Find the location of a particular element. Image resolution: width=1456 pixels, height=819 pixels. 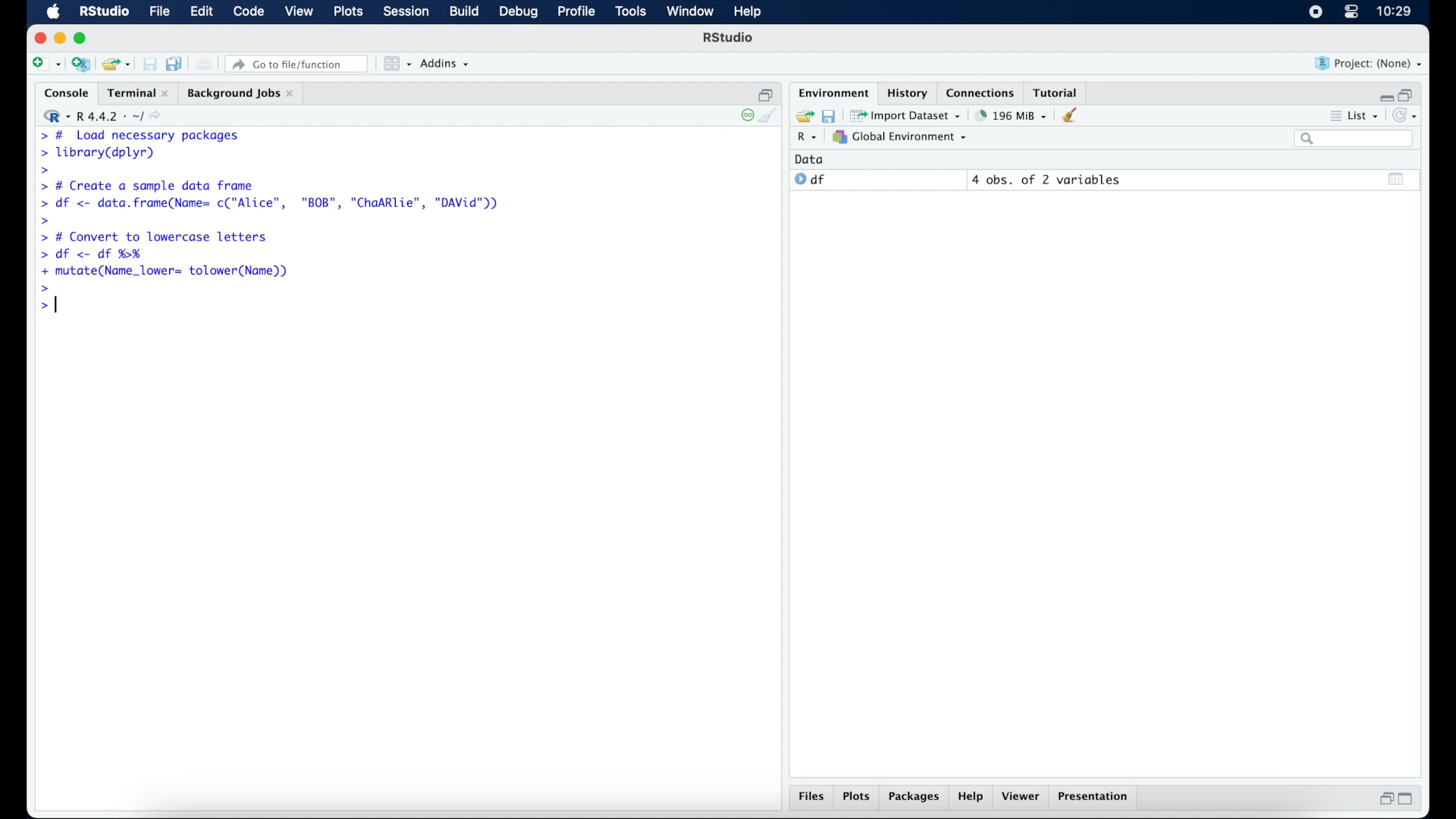

minimize is located at coordinates (1384, 94).